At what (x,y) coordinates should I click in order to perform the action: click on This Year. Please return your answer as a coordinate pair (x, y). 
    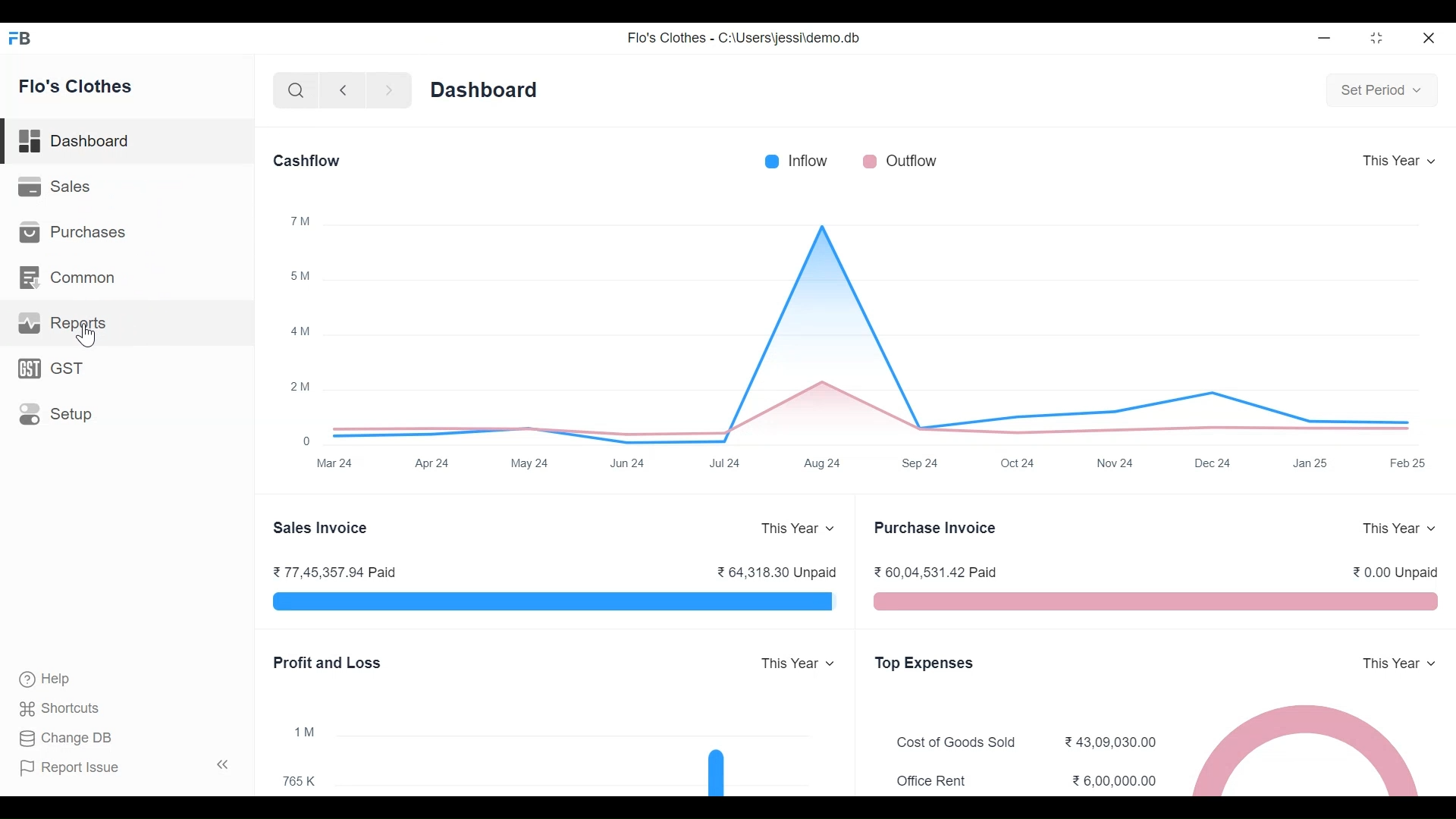
    Looking at the image, I should click on (1399, 162).